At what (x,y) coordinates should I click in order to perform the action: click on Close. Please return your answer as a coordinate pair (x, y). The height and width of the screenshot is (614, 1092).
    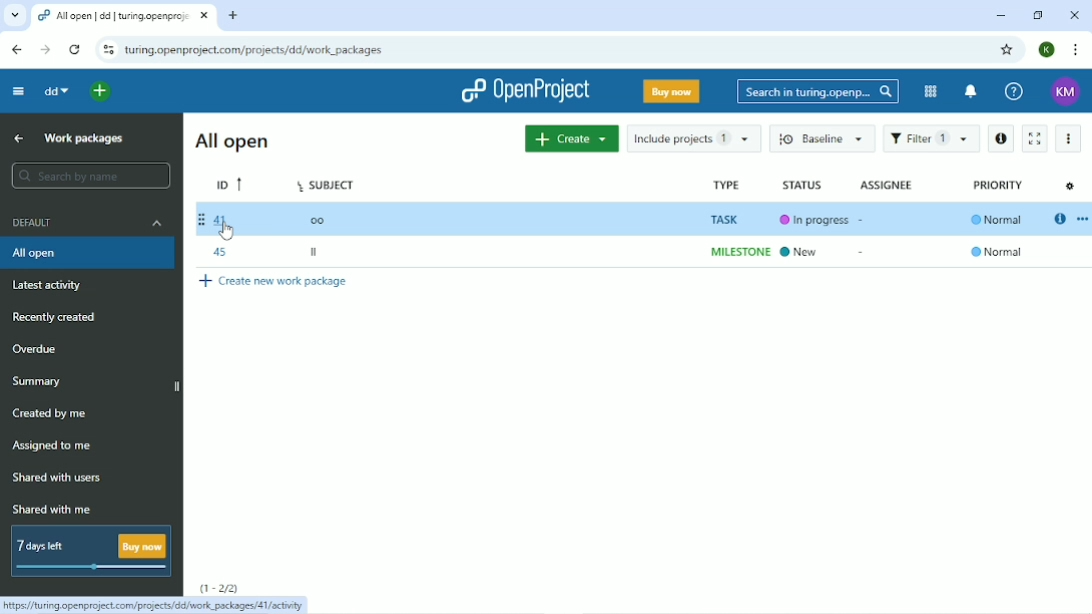
    Looking at the image, I should click on (1074, 15).